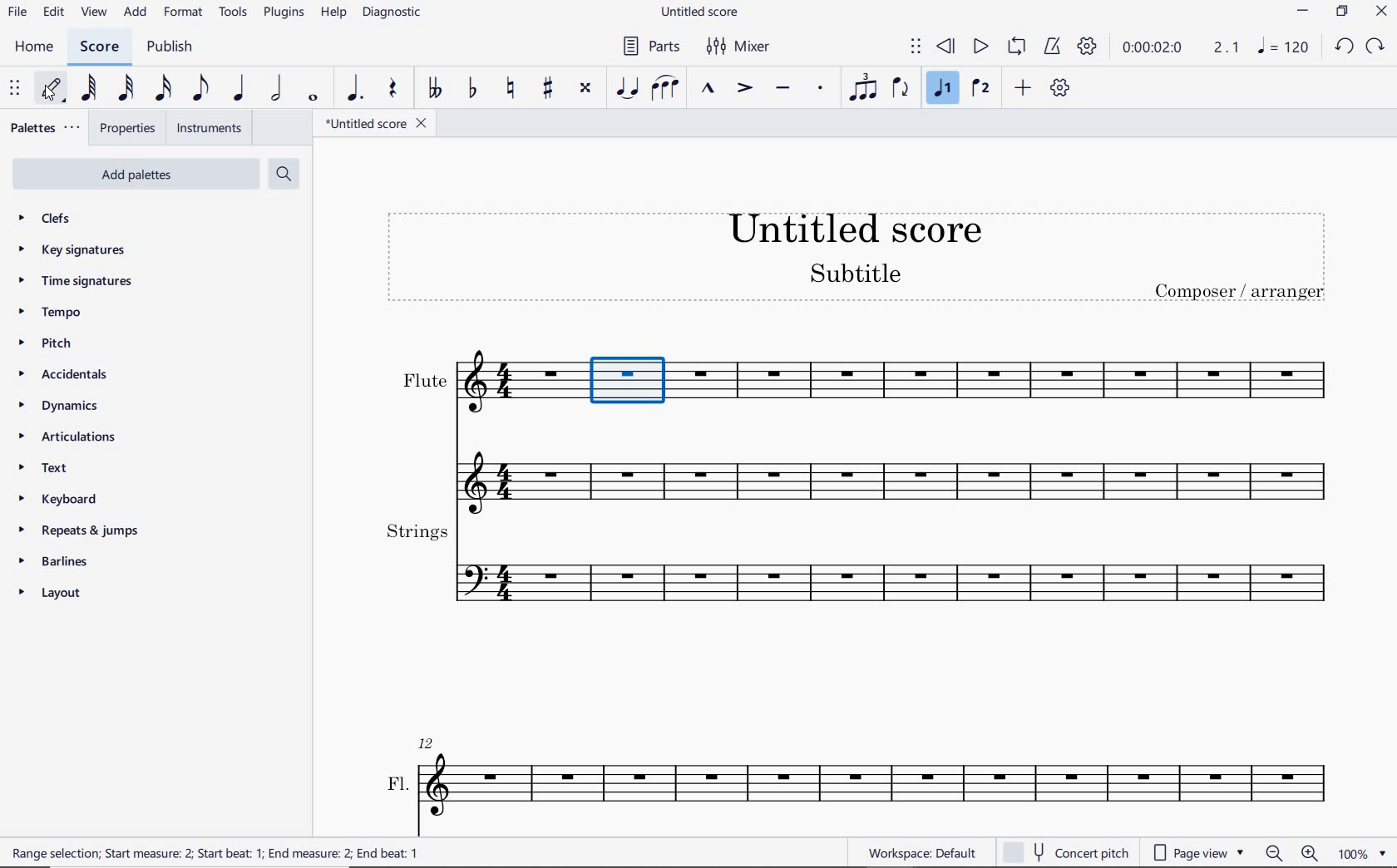  Describe the element at coordinates (234, 13) in the screenshot. I see `TOOLS` at that location.